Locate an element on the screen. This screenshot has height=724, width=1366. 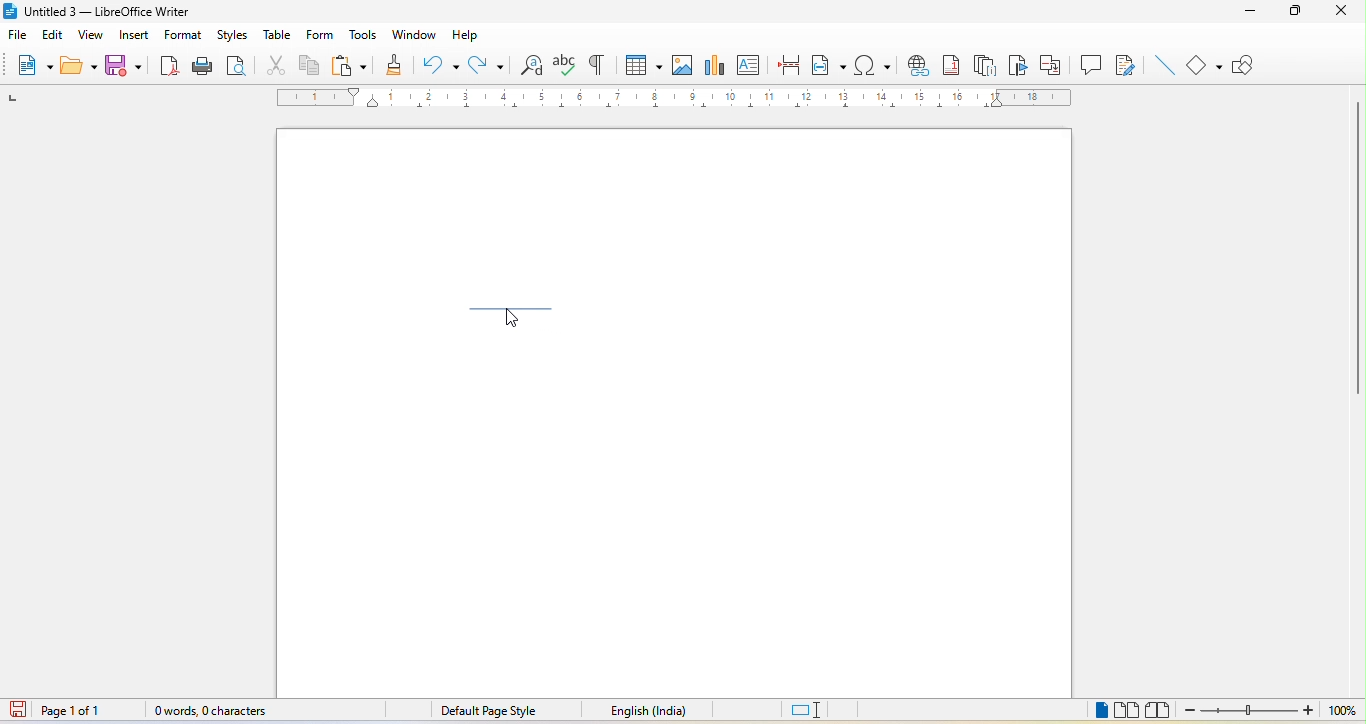
print preview is located at coordinates (236, 66).